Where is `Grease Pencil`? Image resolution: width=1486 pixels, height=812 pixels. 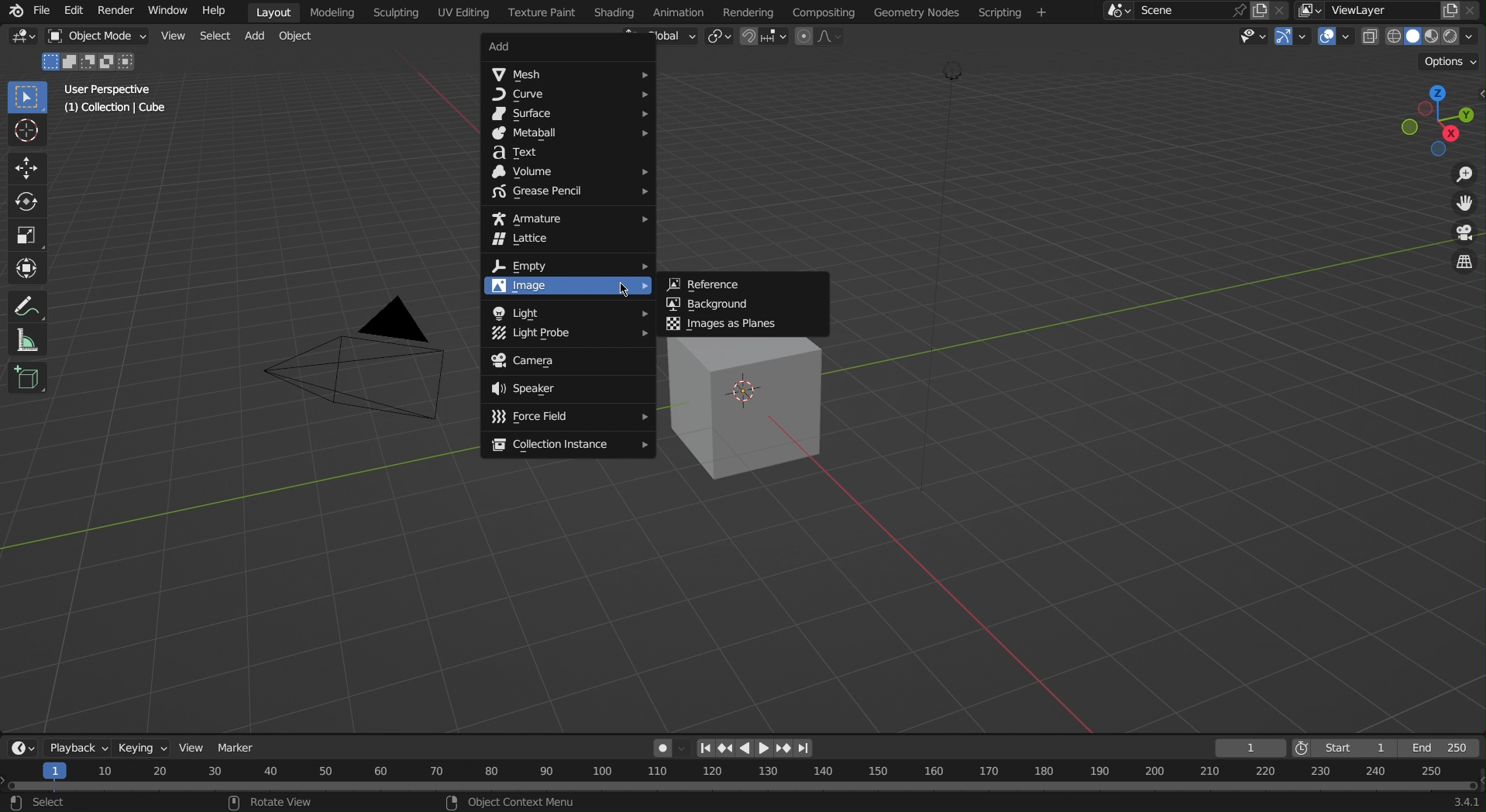 Grease Pencil is located at coordinates (567, 192).